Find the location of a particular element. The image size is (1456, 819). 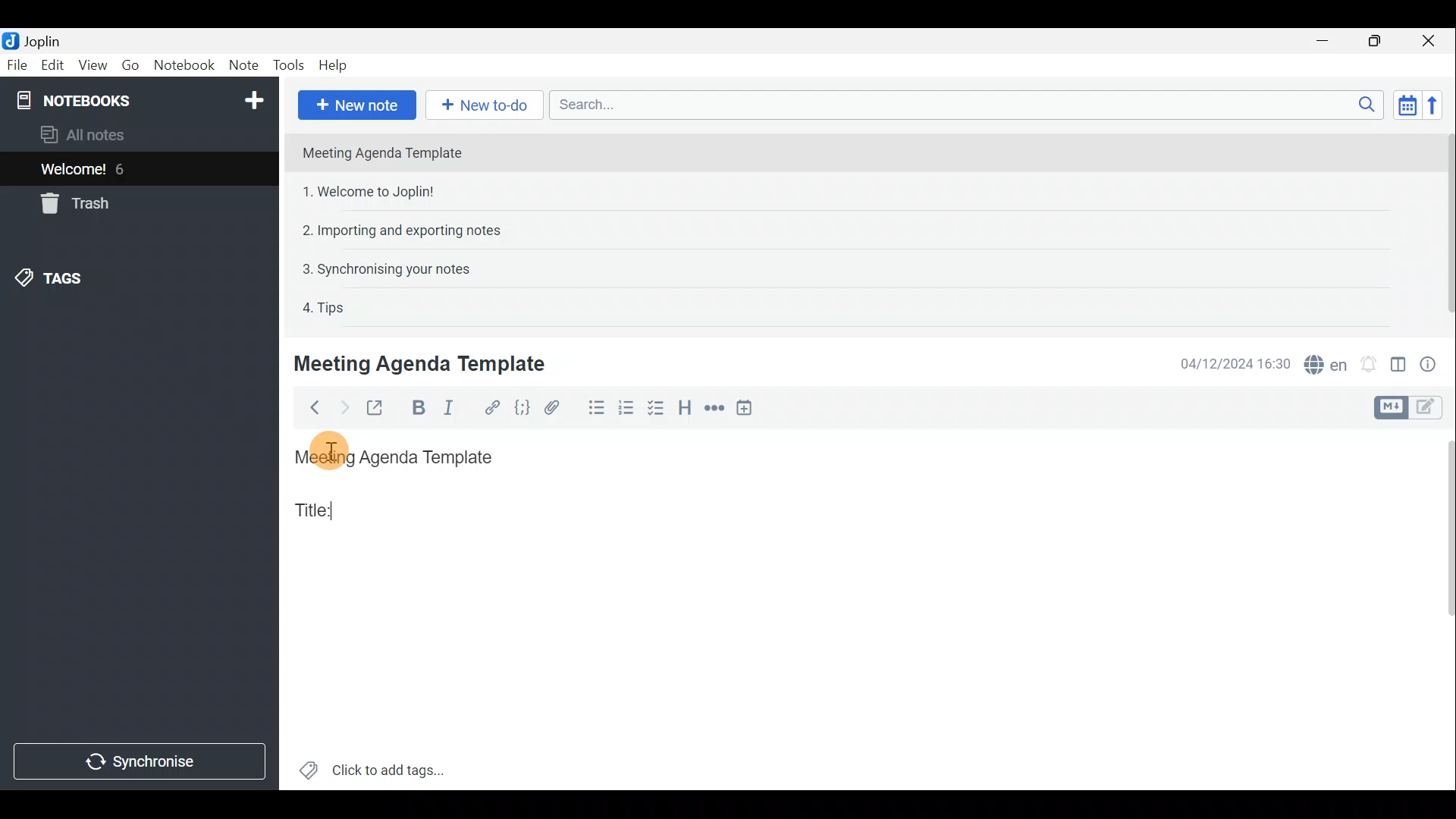

Toggle editors is located at coordinates (1389, 408).